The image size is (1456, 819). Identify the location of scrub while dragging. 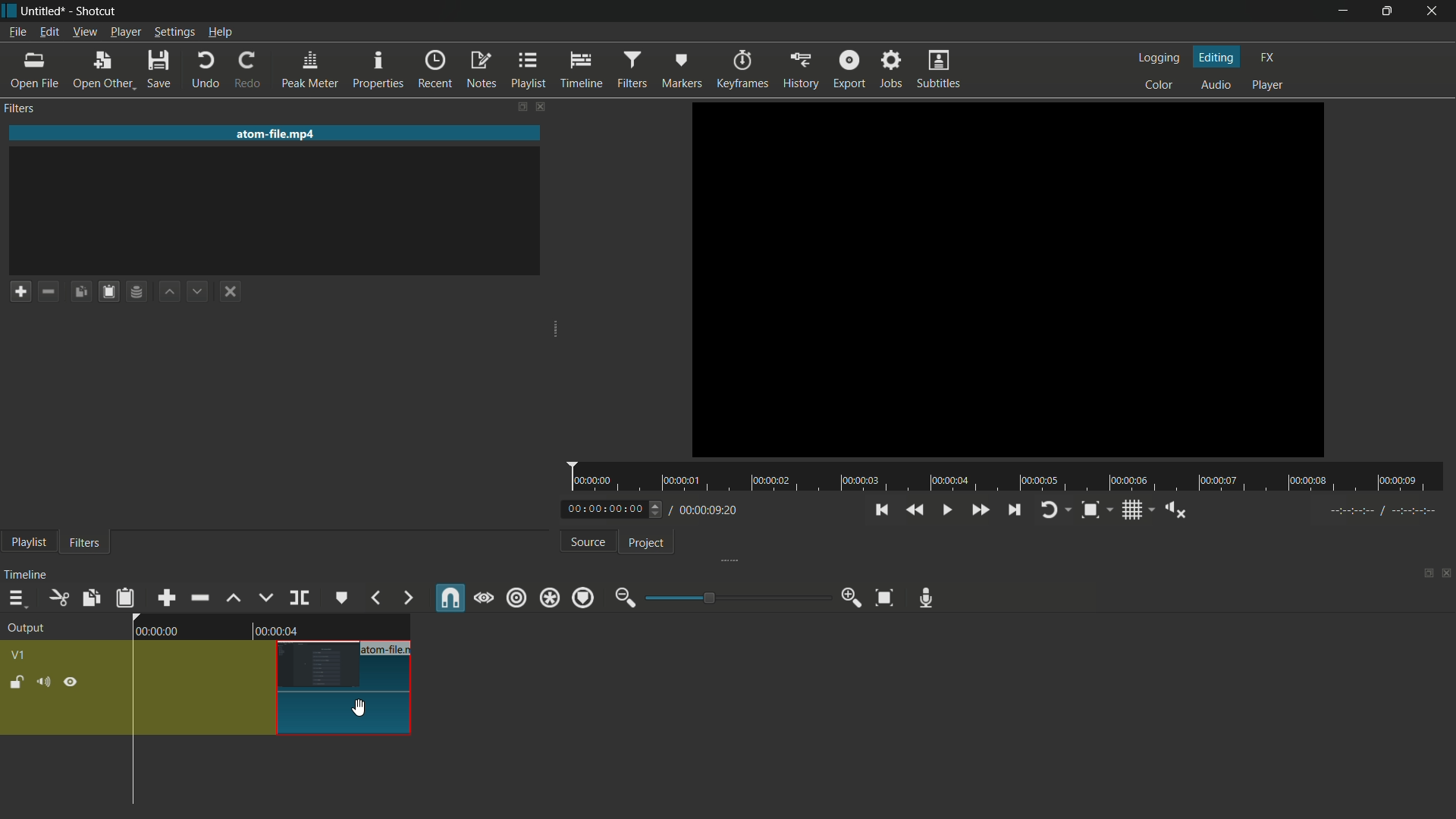
(484, 598).